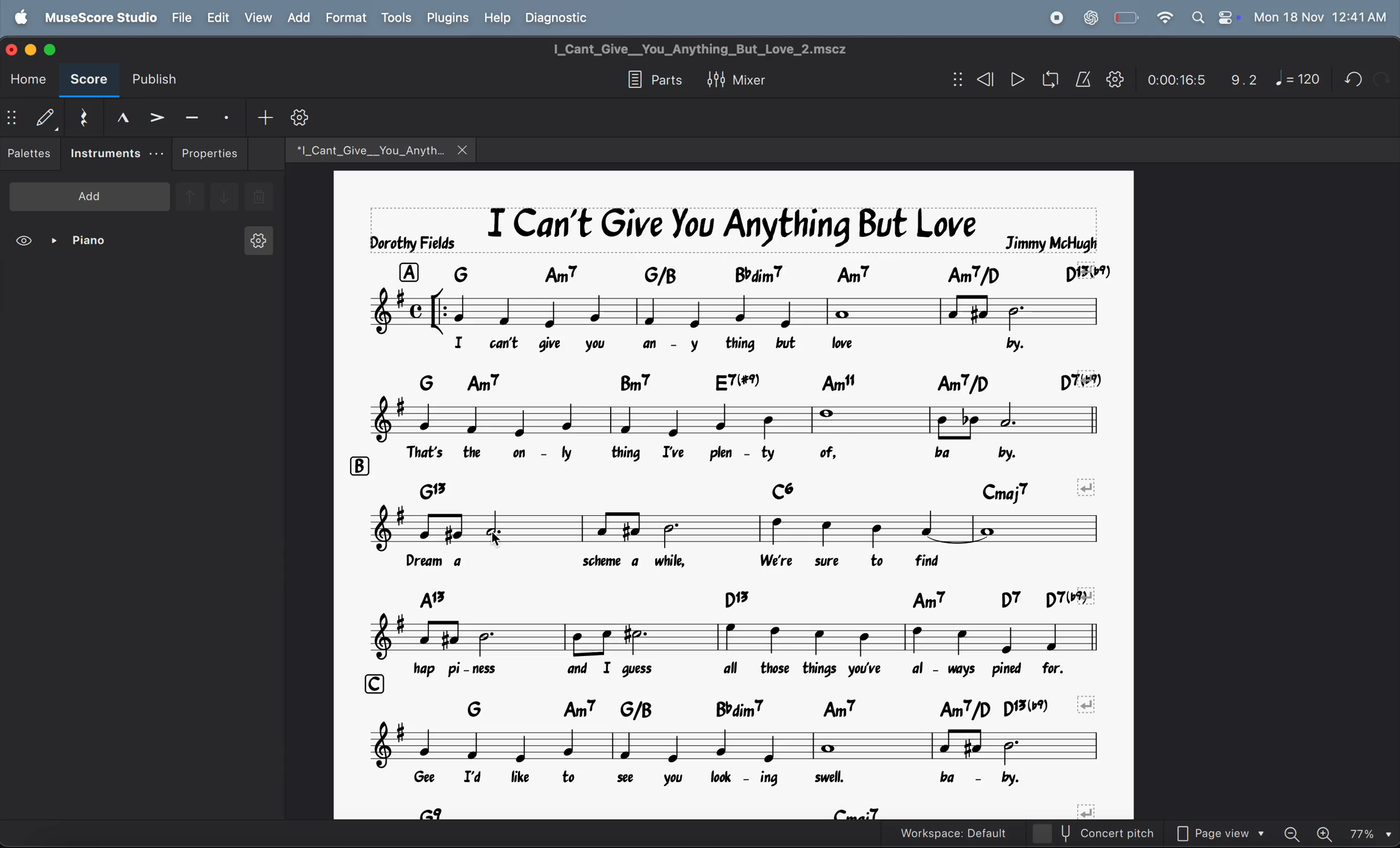  What do you see at coordinates (355, 463) in the screenshot?
I see `row` at bounding box center [355, 463].